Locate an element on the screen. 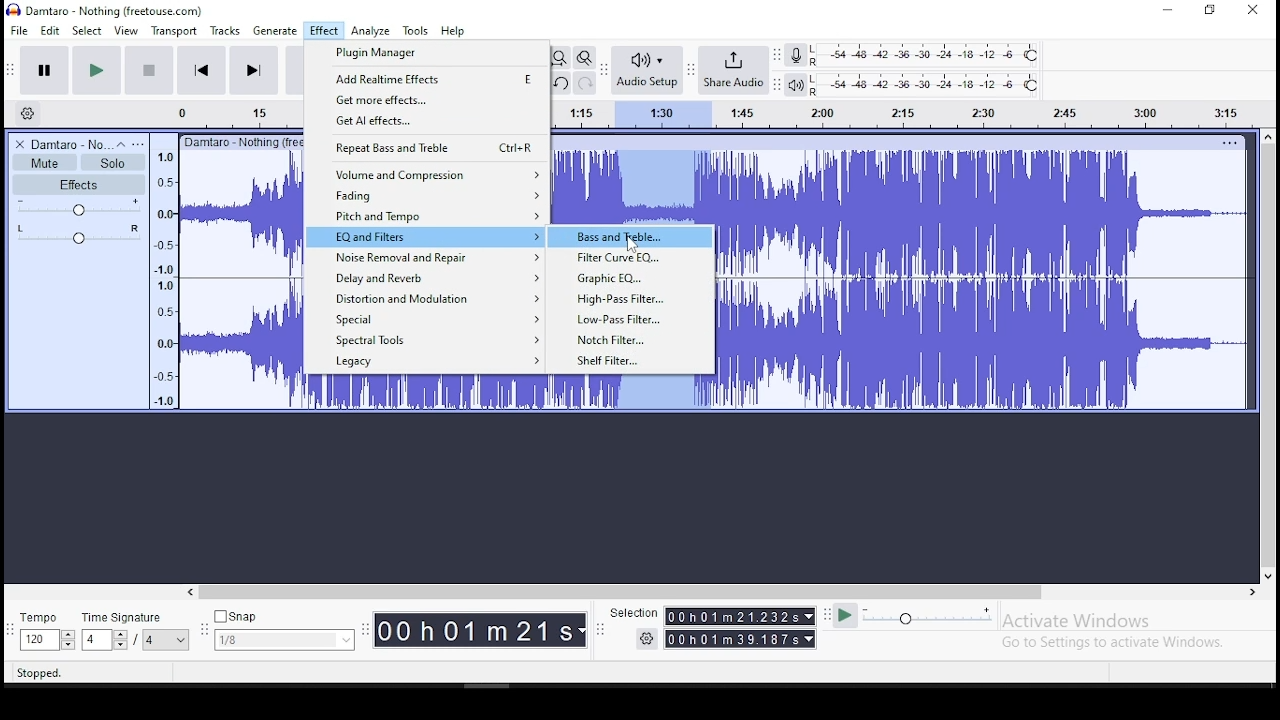 This screenshot has width=1280, height=720. Damtaro No is located at coordinates (70, 144).